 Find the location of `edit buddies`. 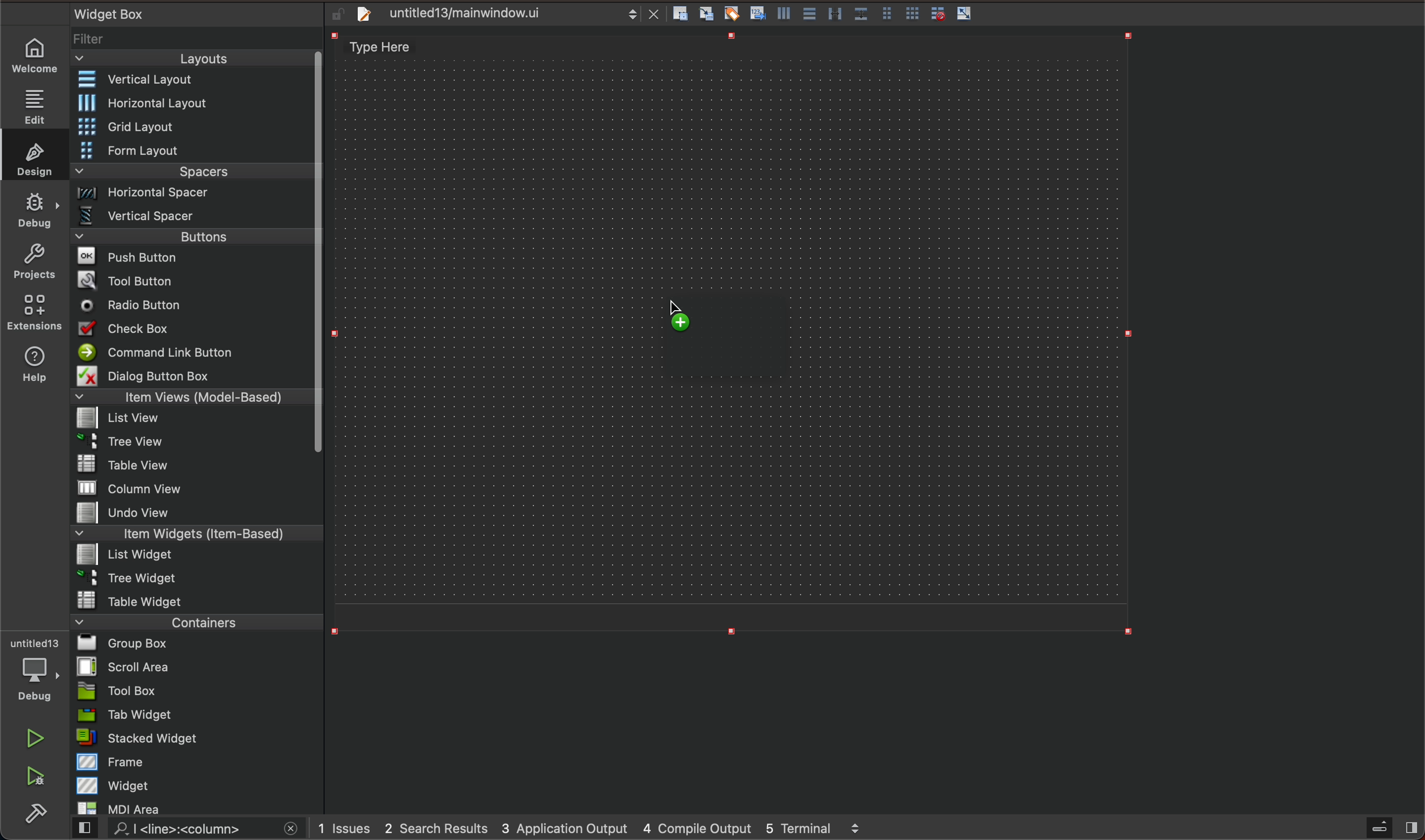

edit buddies is located at coordinates (734, 13).